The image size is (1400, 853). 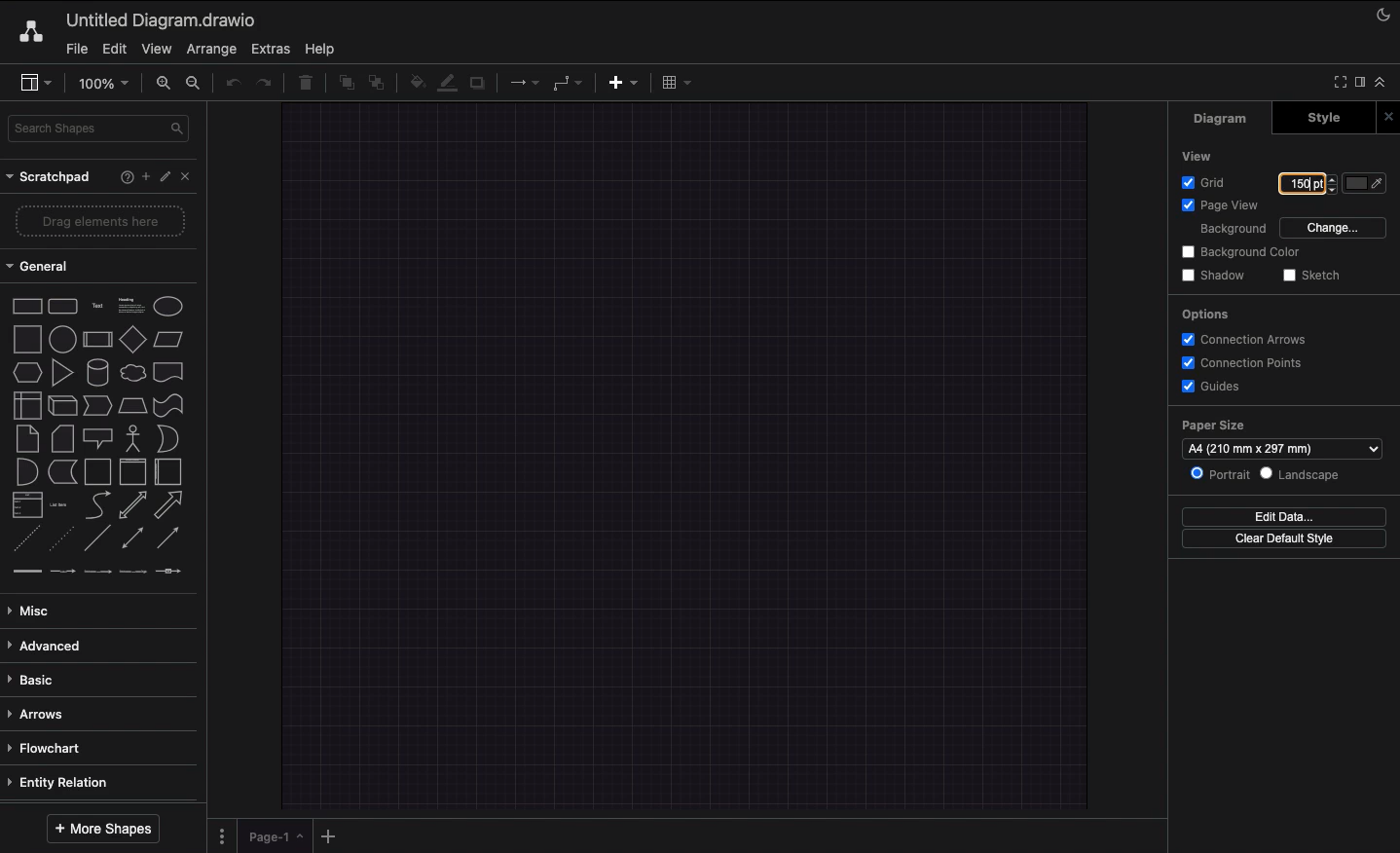 What do you see at coordinates (34, 33) in the screenshot?
I see `Draw.io` at bounding box center [34, 33].